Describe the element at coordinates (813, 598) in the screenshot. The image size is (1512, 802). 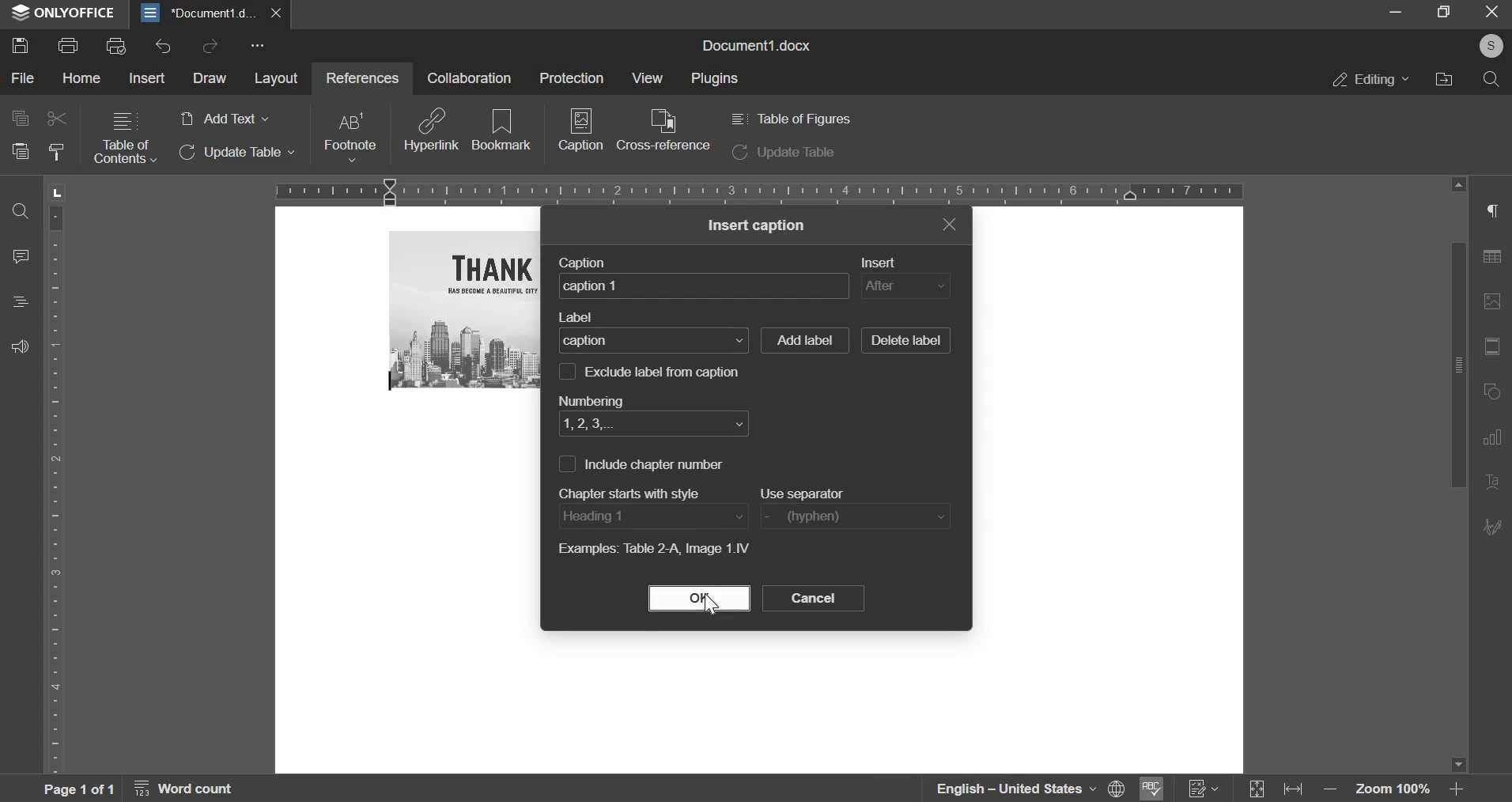
I see `cancel` at that location.